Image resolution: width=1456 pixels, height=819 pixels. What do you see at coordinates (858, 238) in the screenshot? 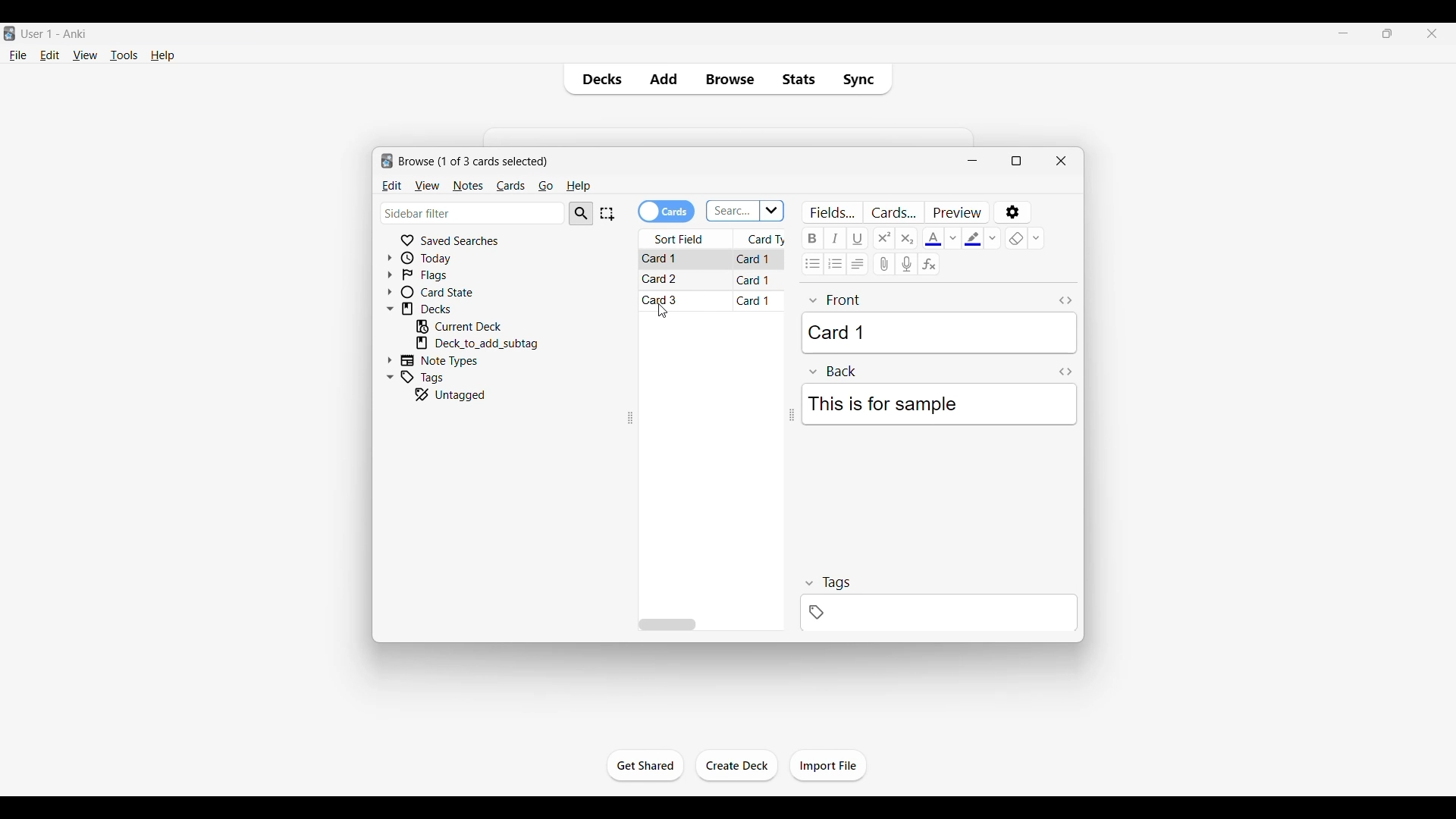
I see `Underline text` at bounding box center [858, 238].